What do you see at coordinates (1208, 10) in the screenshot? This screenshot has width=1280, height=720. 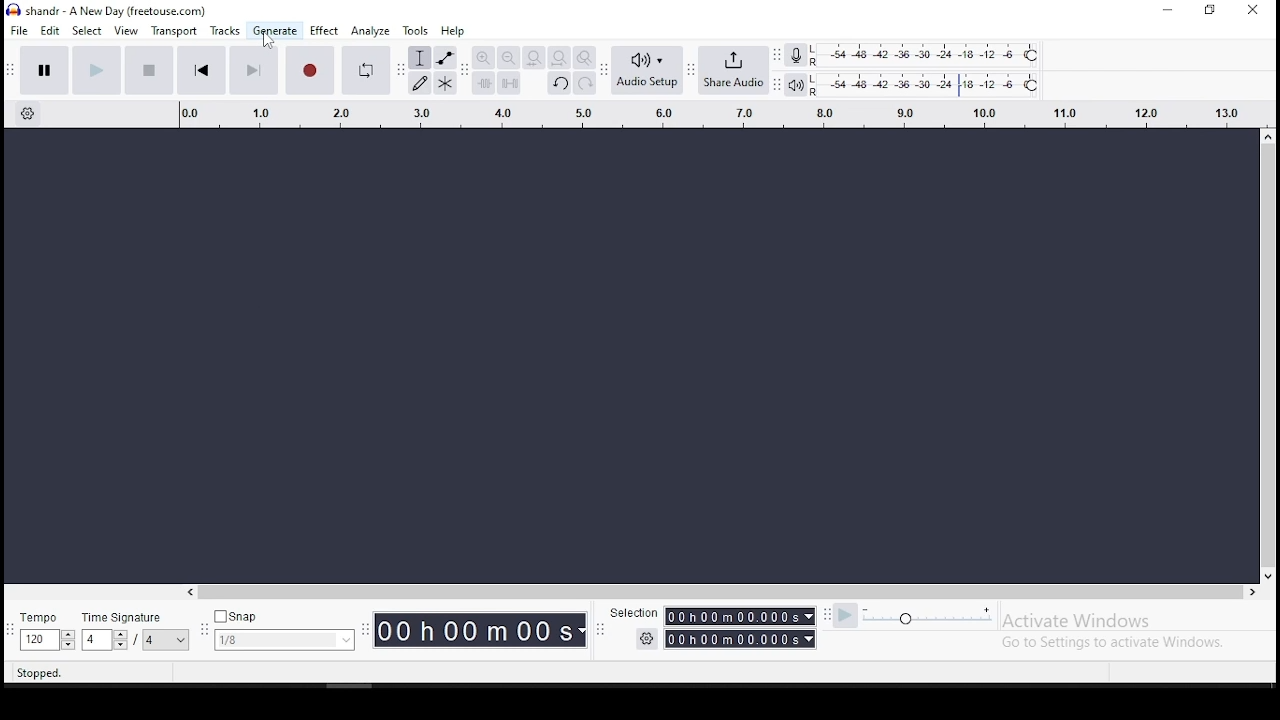 I see `restore` at bounding box center [1208, 10].